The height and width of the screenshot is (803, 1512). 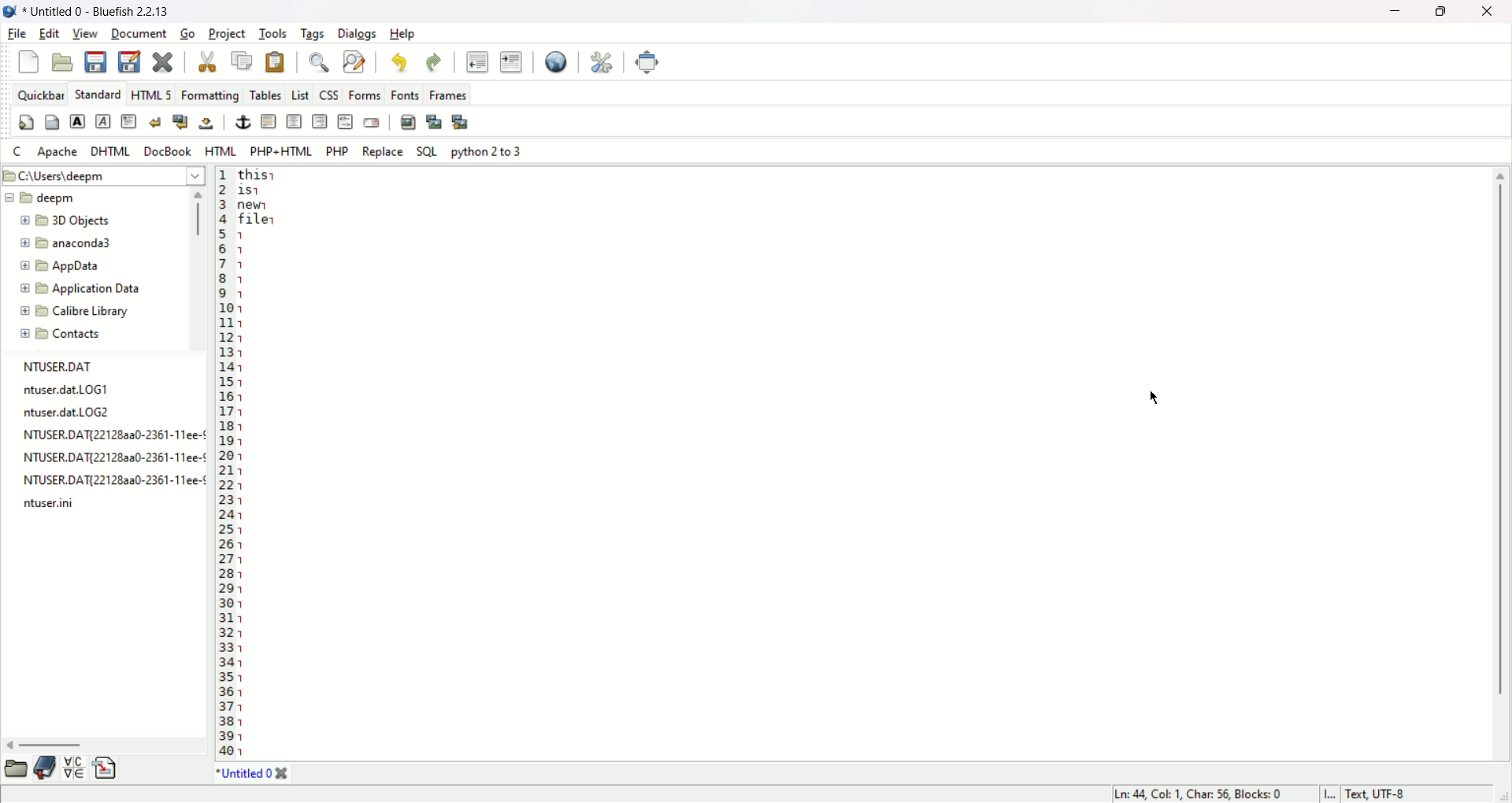 What do you see at coordinates (511, 64) in the screenshot?
I see `indent` at bounding box center [511, 64].